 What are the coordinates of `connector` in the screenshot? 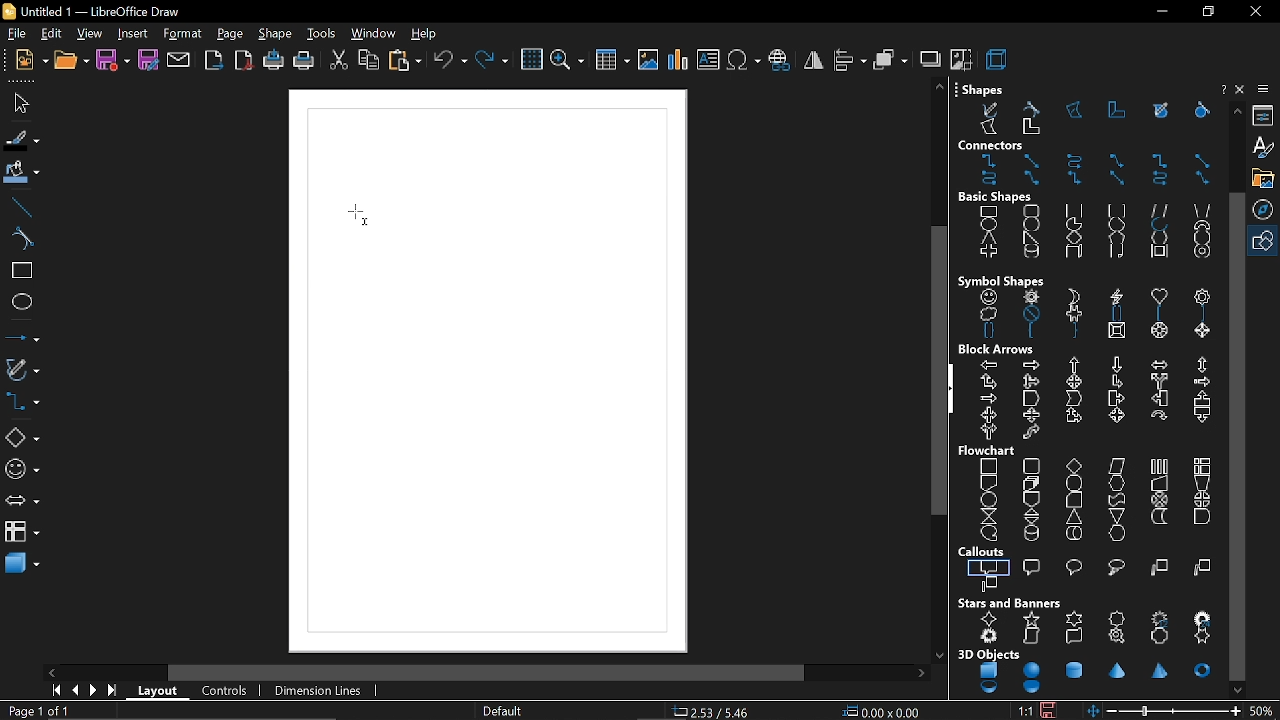 It's located at (1161, 161).